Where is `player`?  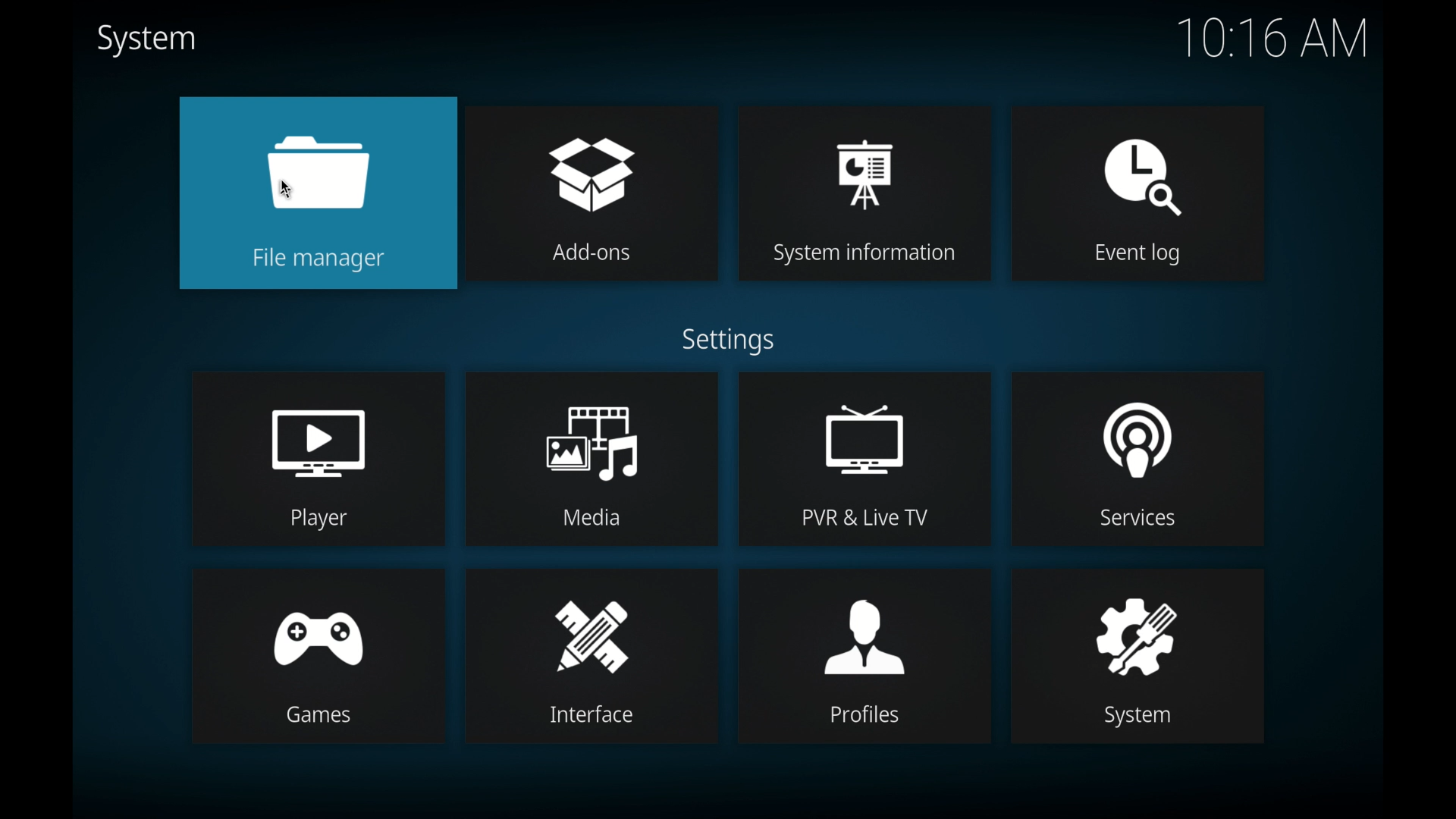 player is located at coordinates (318, 458).